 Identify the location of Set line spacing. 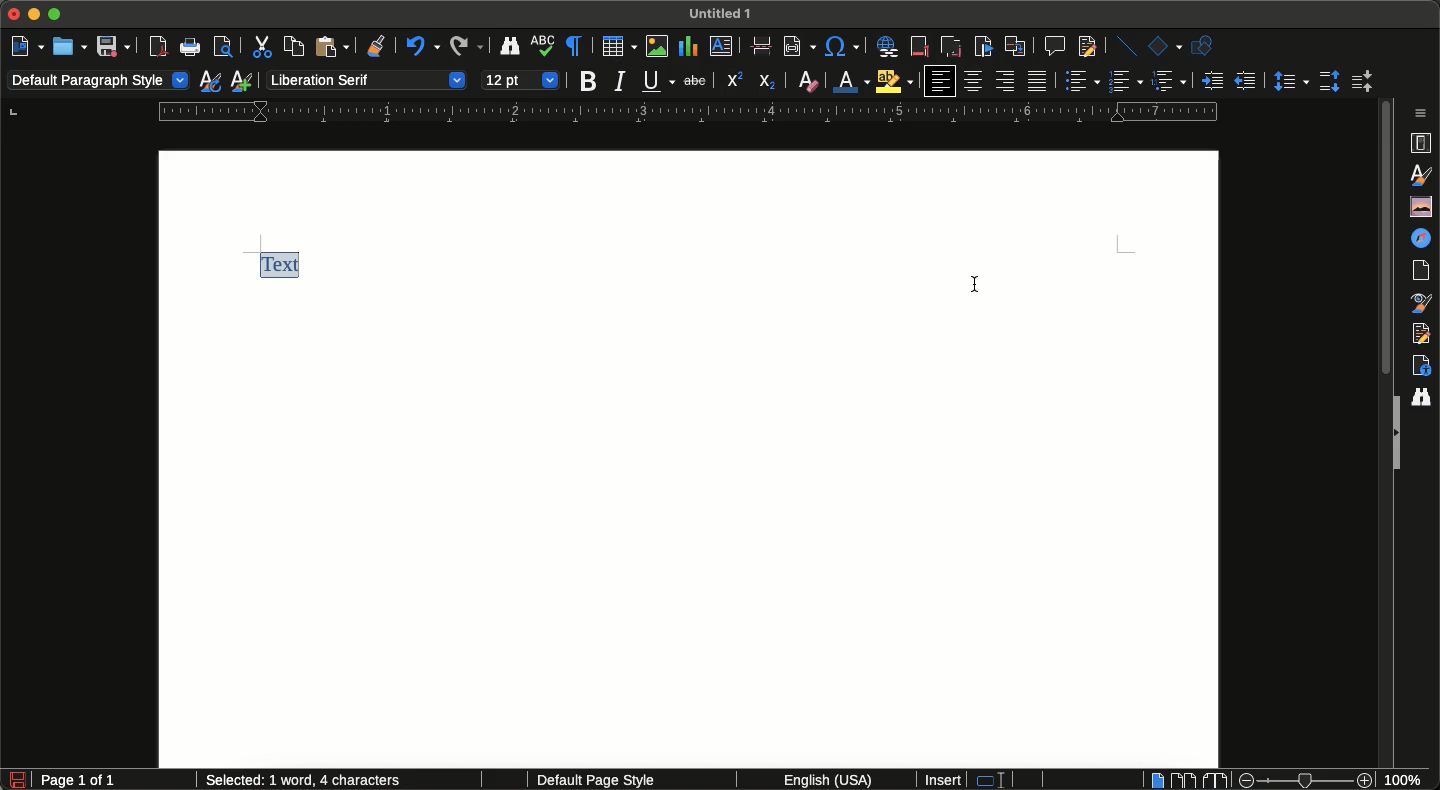
(1289, 80).